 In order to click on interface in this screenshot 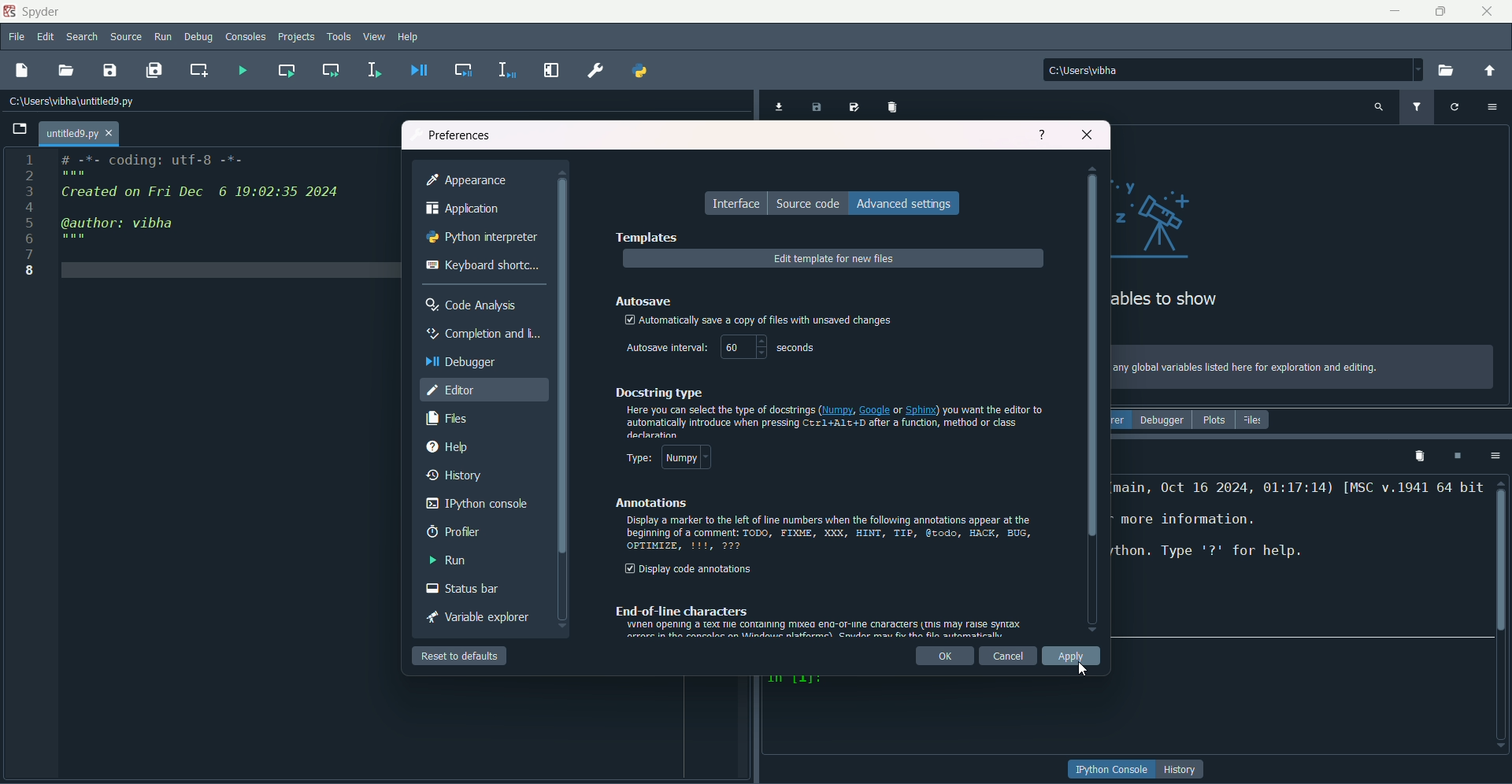, I will do `click(738, 204)`.